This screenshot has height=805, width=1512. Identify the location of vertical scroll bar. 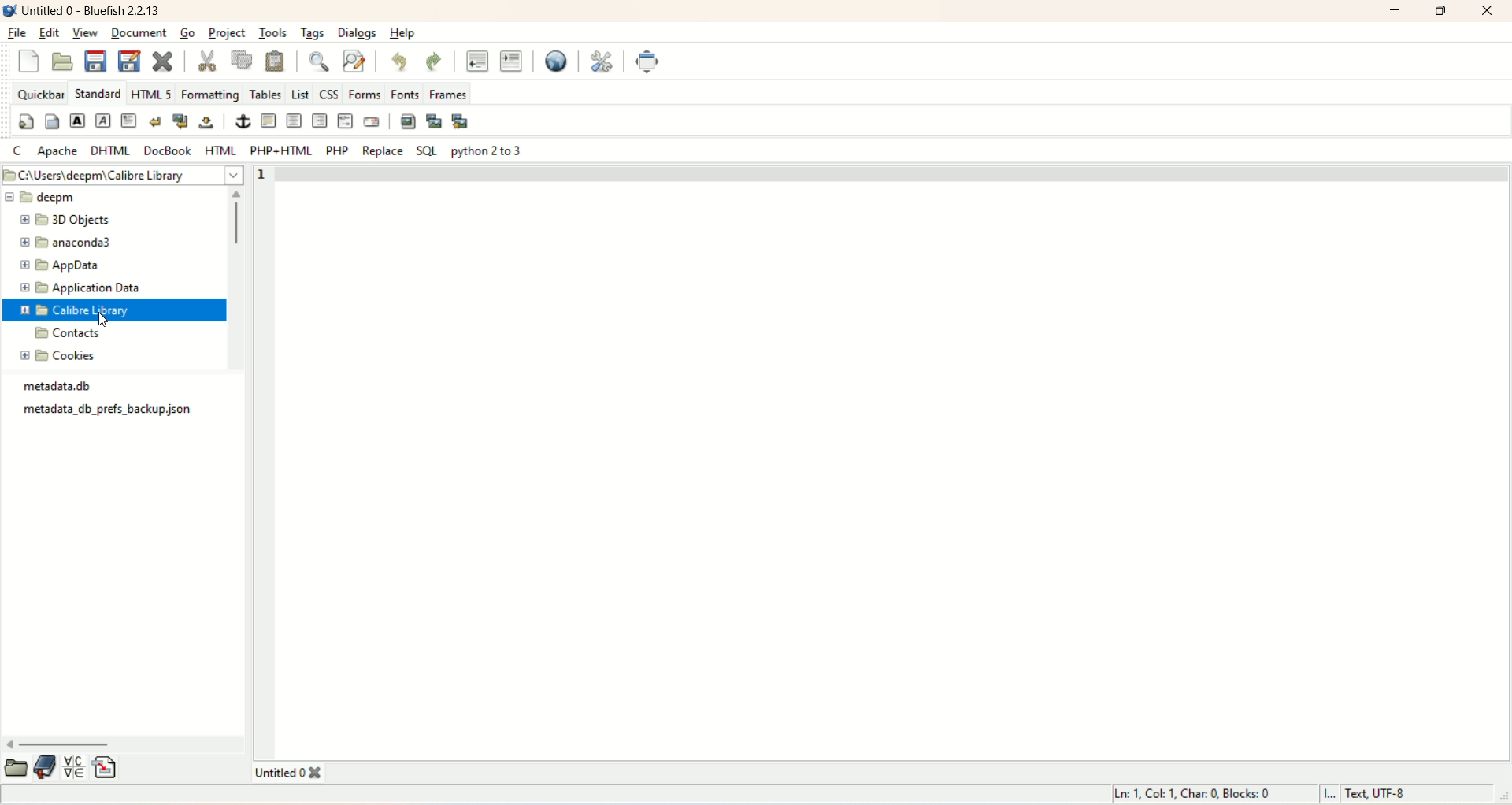
(240, 282).